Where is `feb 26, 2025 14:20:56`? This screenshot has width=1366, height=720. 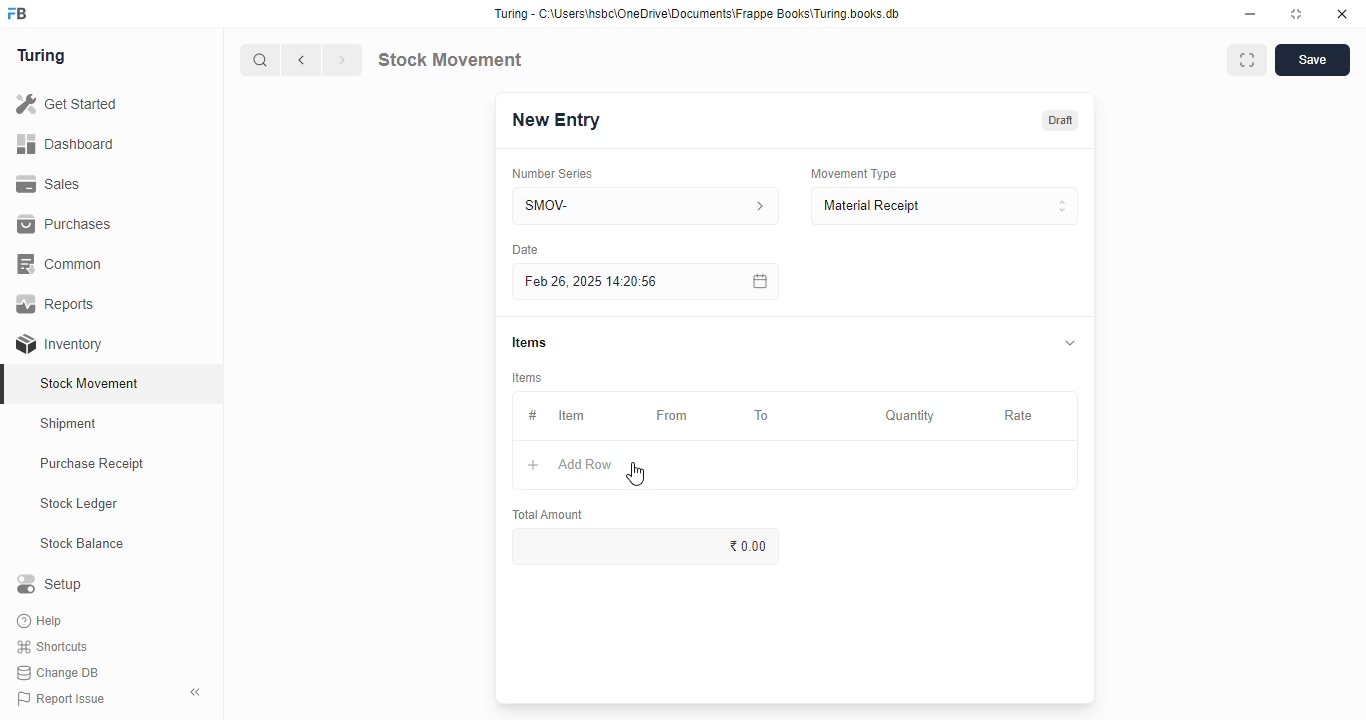
feb 26, 2025 14:20:56 is located at coordinates (595, 282).